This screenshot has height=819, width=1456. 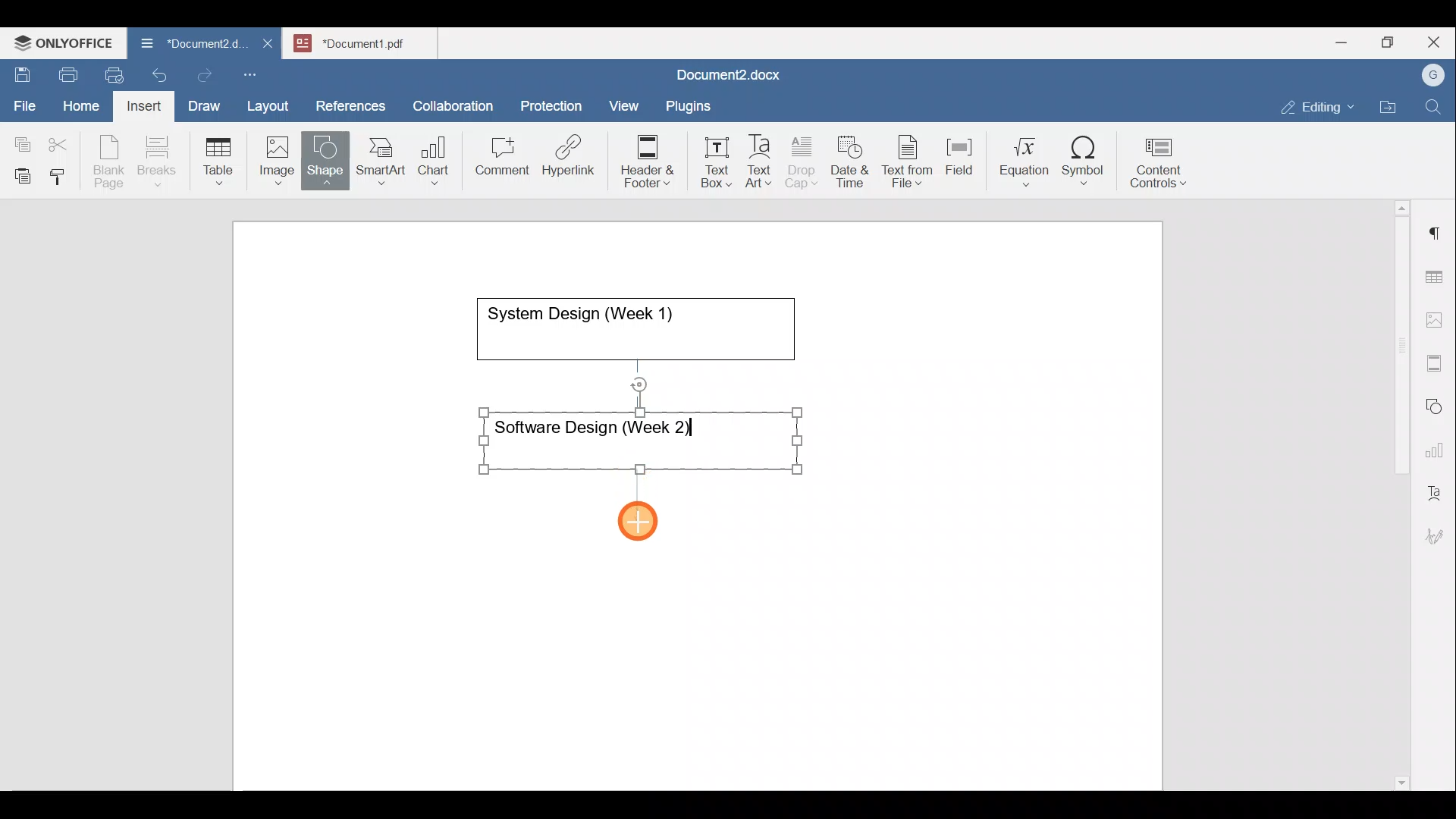 I want to click on Text Art settings, so click(x=1436, y=487).